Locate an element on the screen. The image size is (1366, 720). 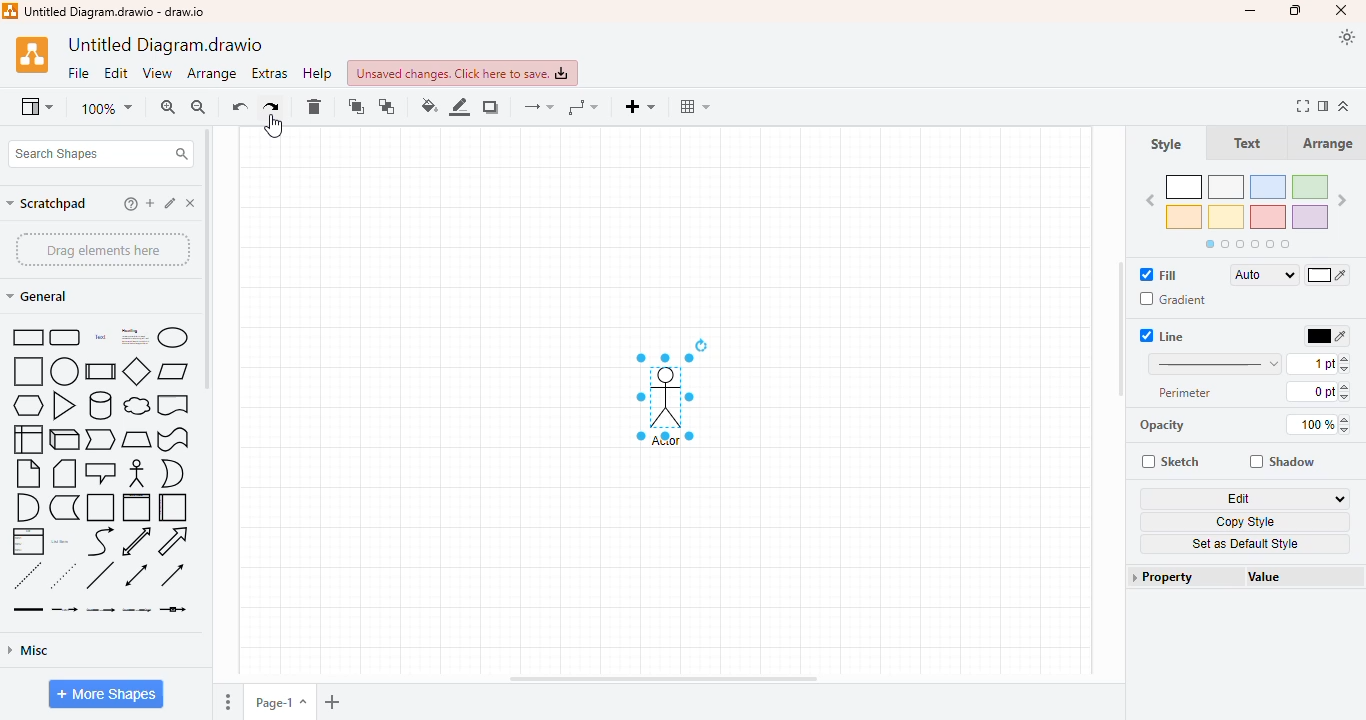
scratchpad is located at coordinates (47, 203).